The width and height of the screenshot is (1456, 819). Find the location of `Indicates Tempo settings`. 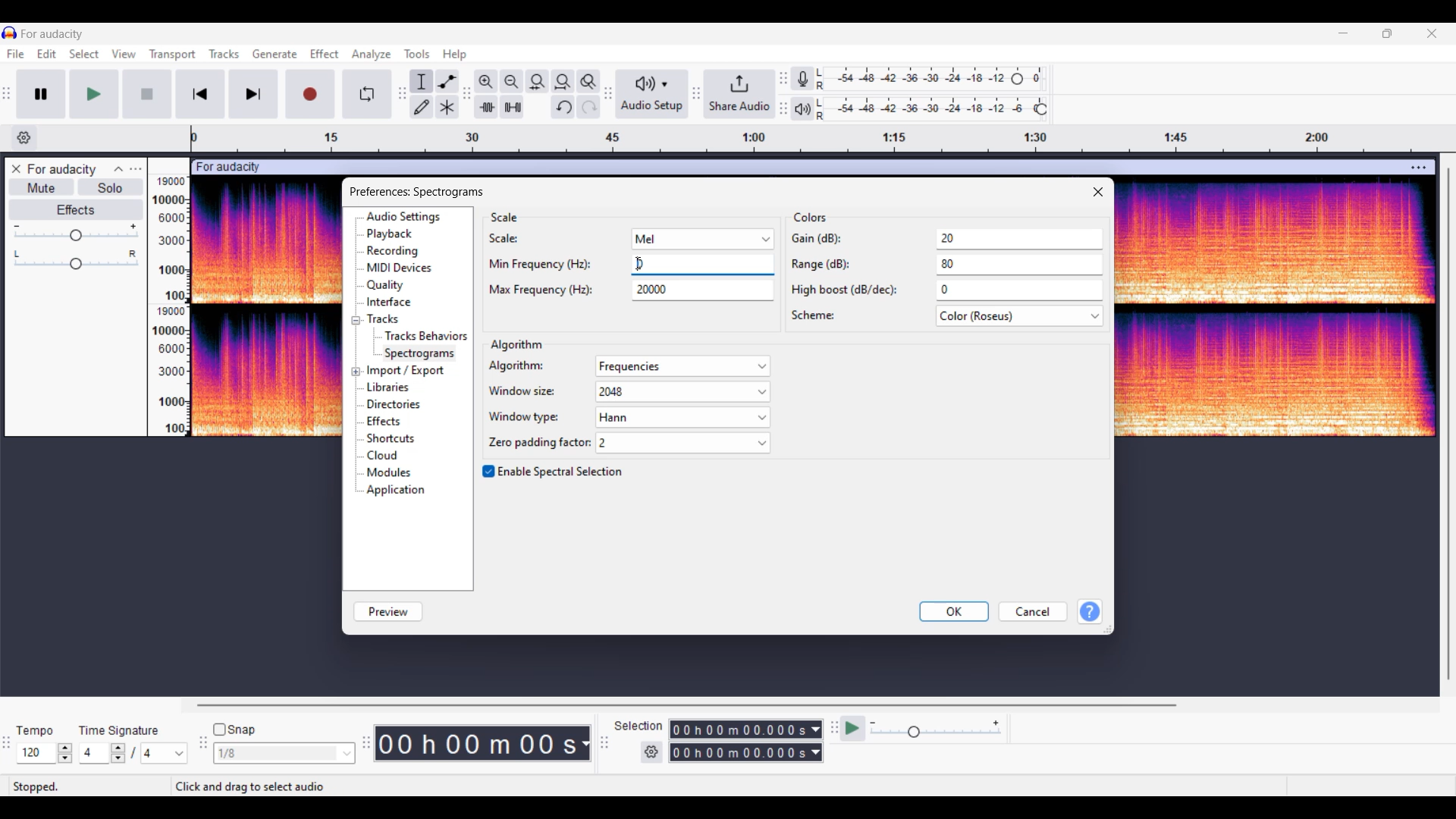

Indicates Tempo settings is located at coordinates (36, 731).